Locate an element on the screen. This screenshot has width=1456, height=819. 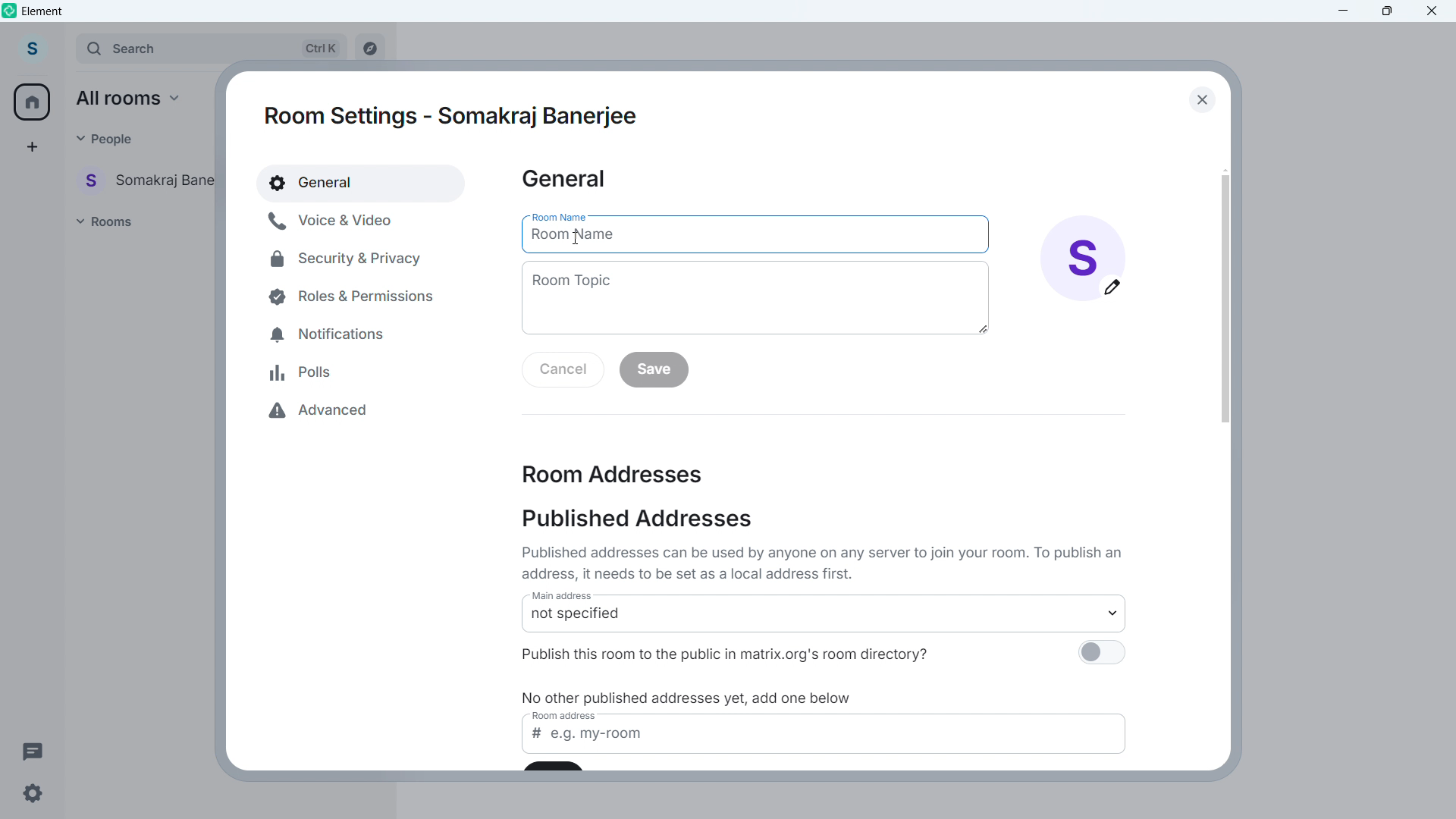
Rooms  is located at coordinates (108, 221).